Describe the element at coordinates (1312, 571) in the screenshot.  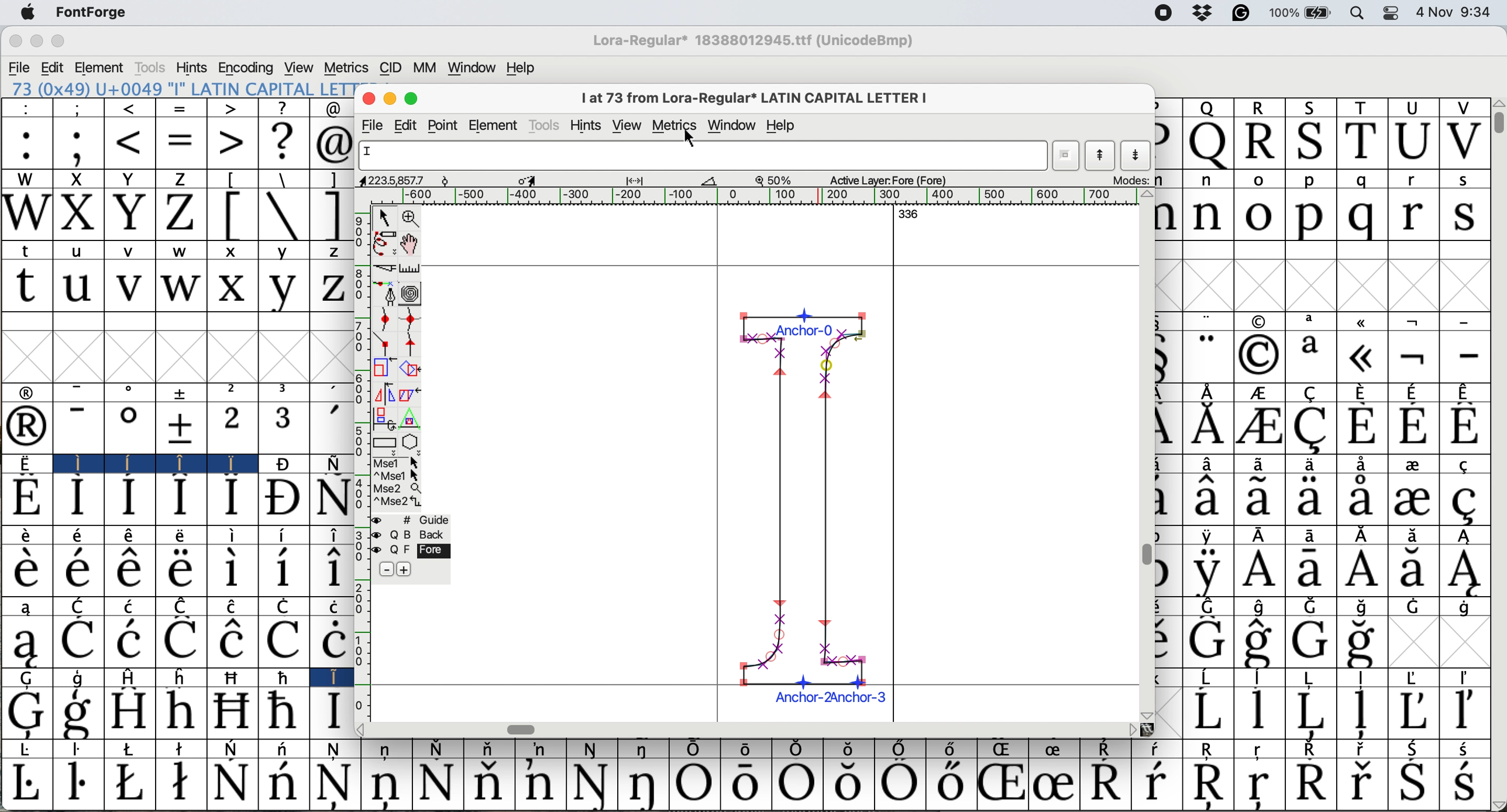
I see `Symbol` at that location.